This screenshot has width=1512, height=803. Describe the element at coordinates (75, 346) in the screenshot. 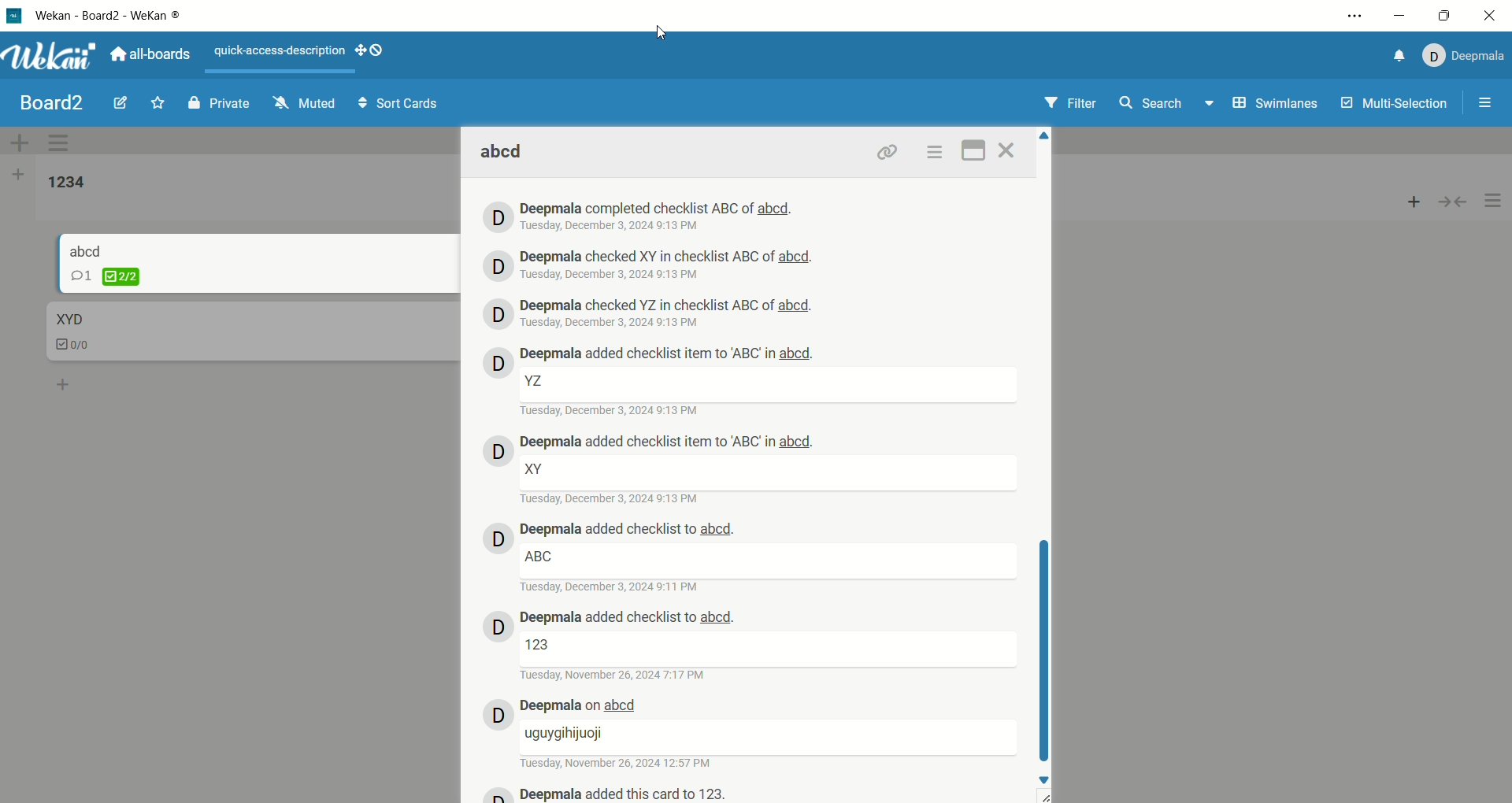

I see `checklist` at that location.